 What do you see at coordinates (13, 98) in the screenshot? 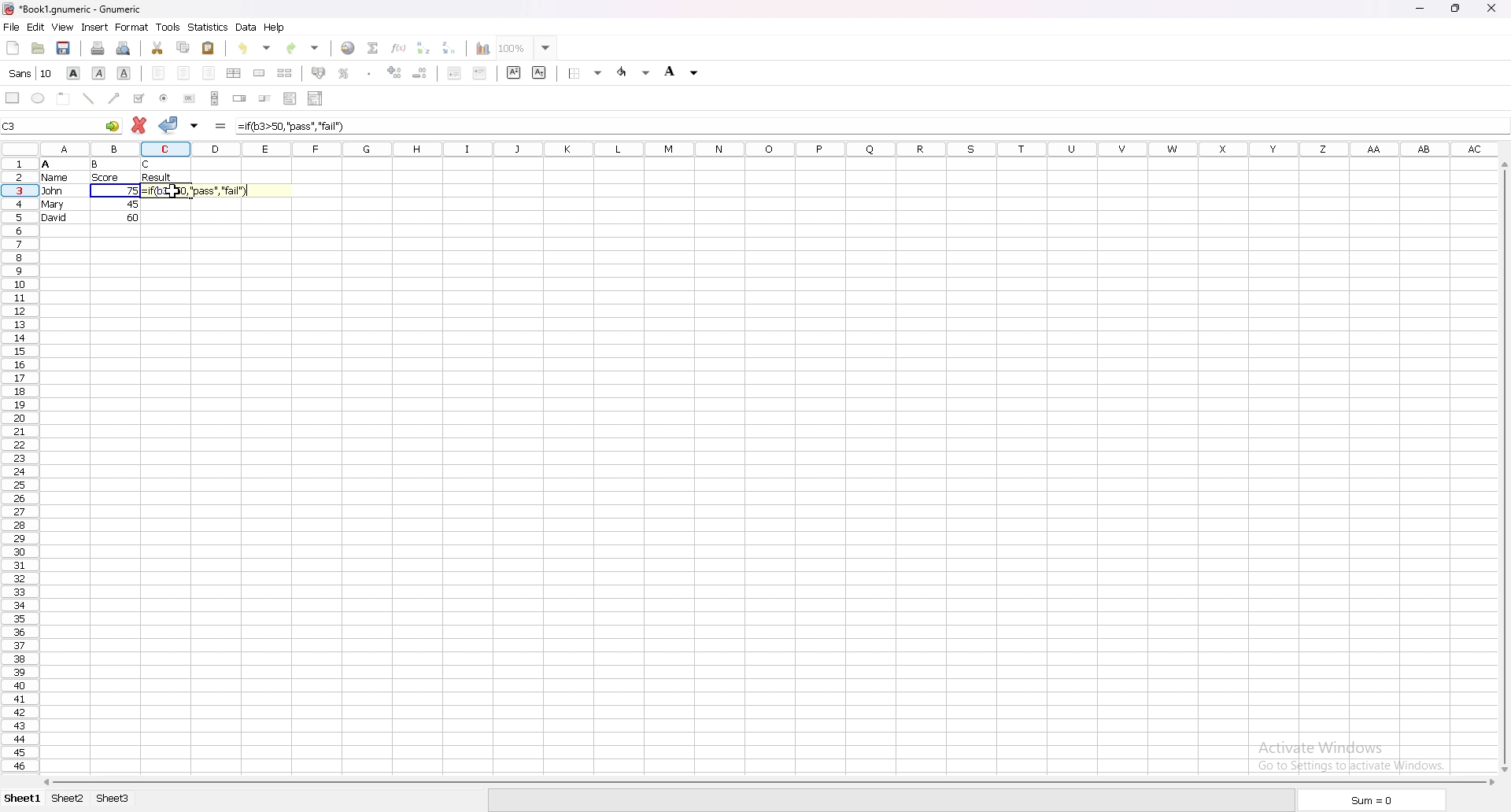
I see `rectangle` at bounding box center [13, 98].